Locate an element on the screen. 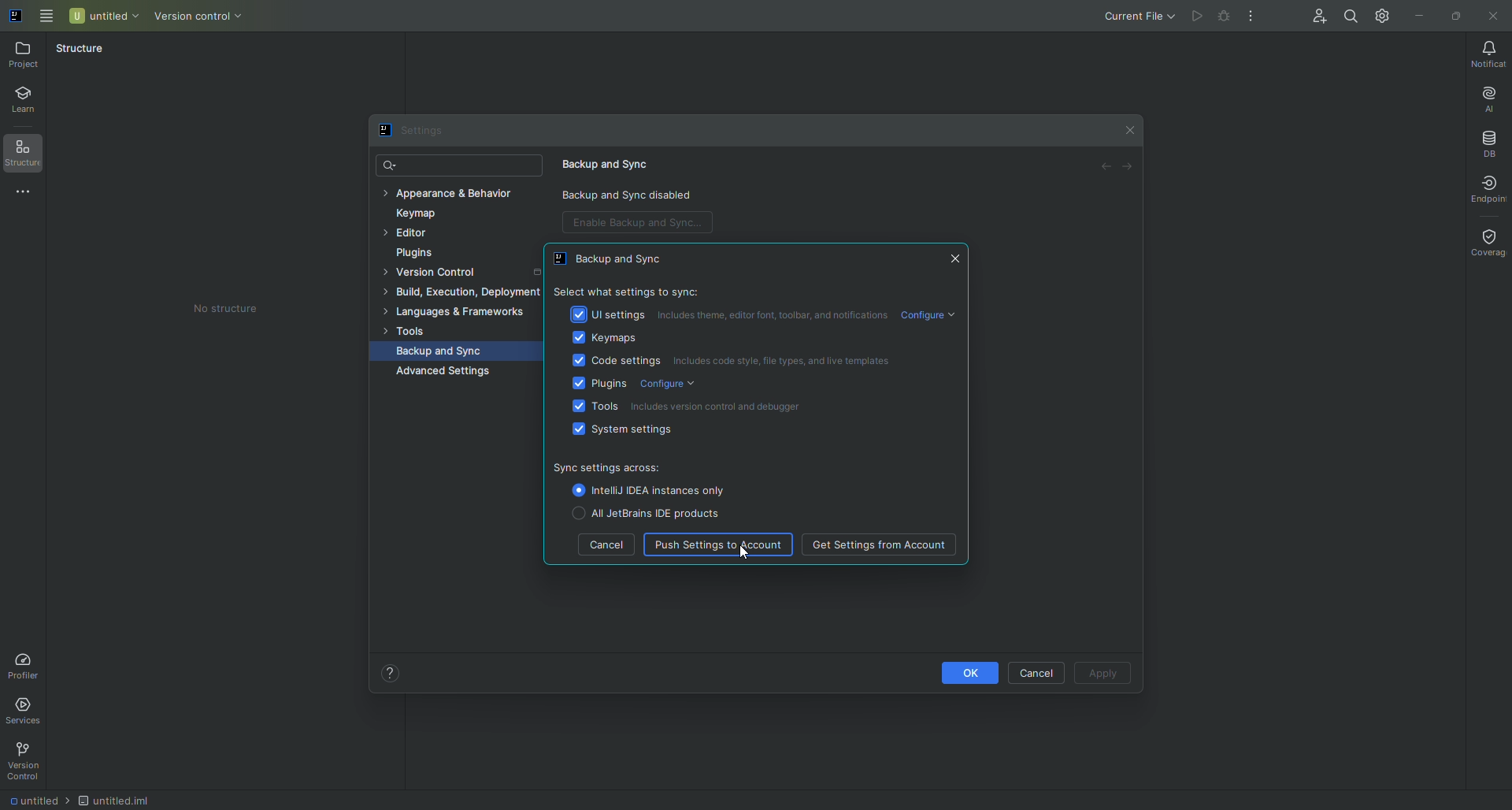  Settings Range is located at coordinates (669, 467).